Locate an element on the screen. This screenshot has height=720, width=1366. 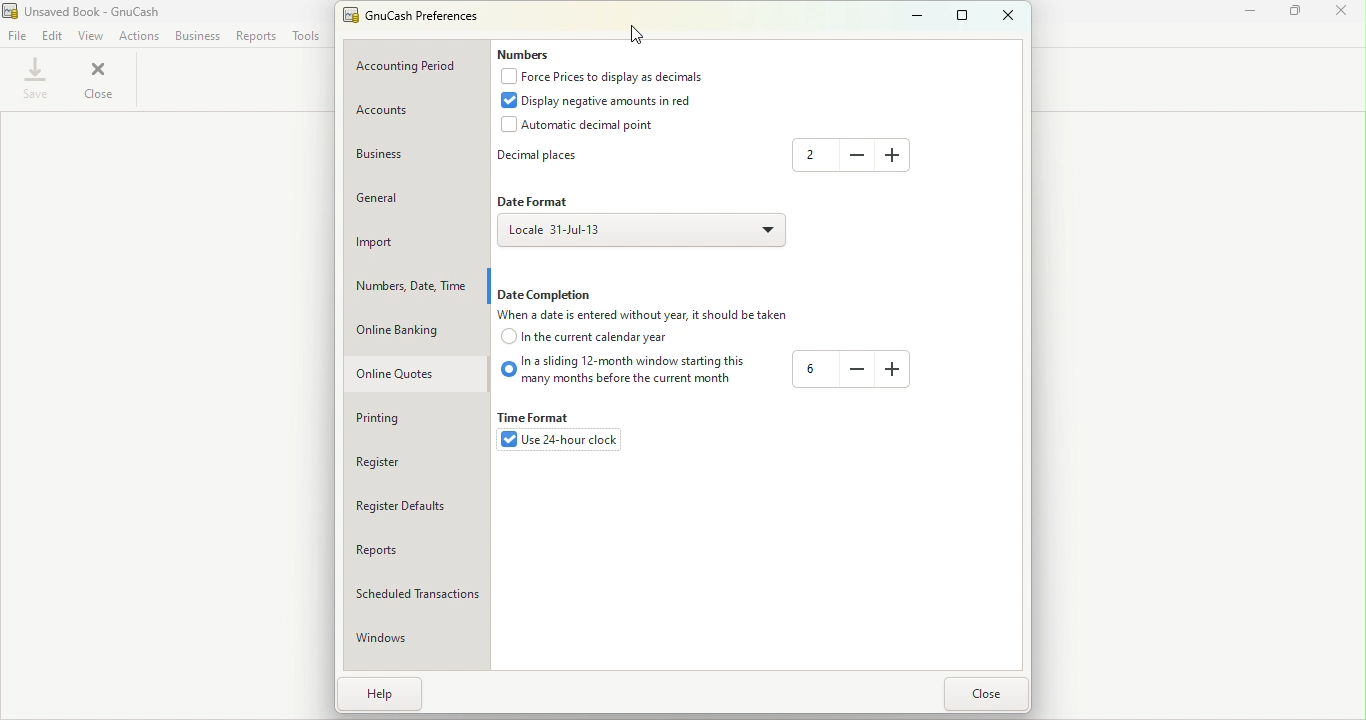
close is located at coordinates (1342, 14).